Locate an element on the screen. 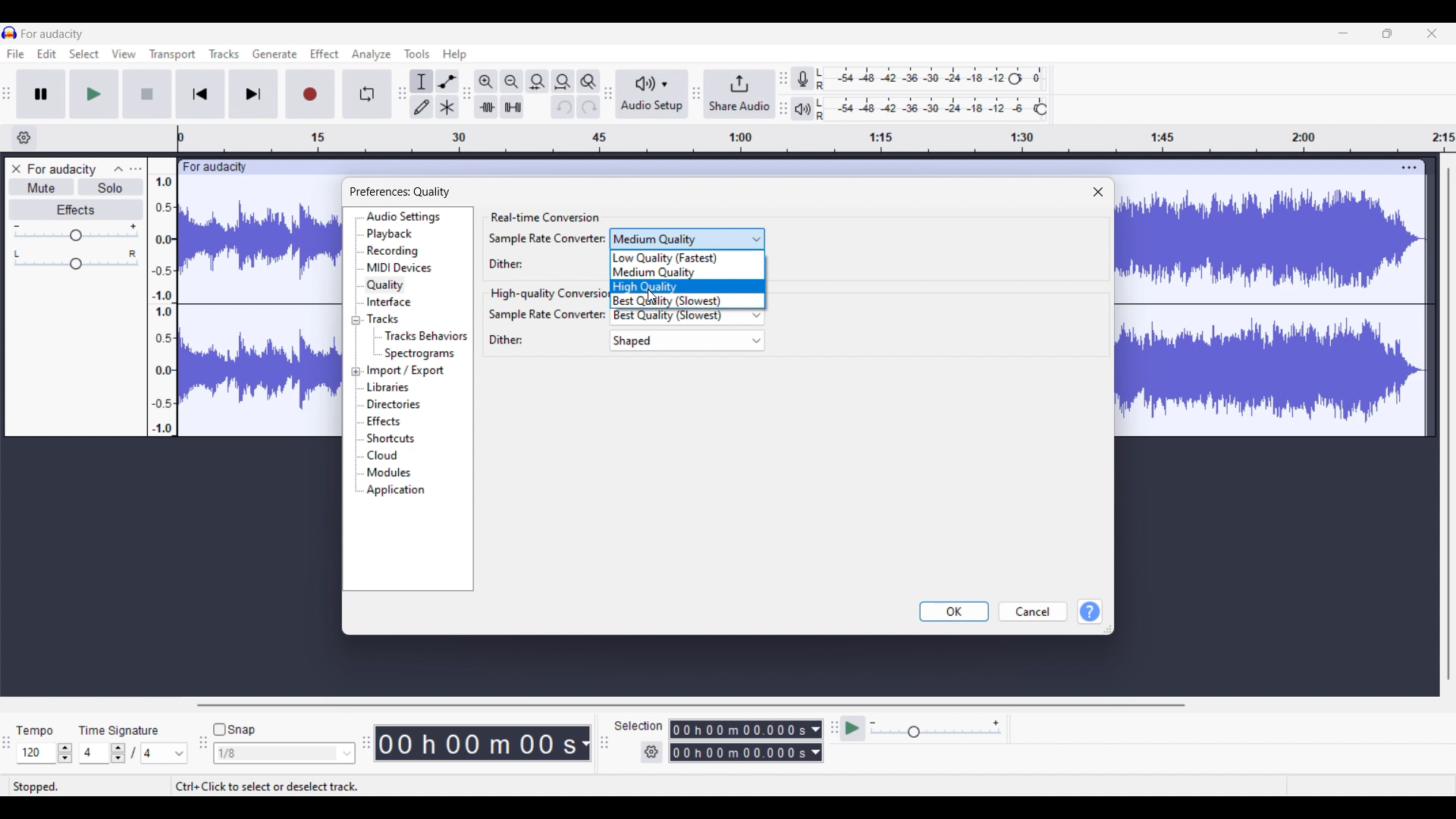 Image resolution: width=1456 pixels, height=819 pixels. Skip/Select to end is located at coordinates (253, 94).